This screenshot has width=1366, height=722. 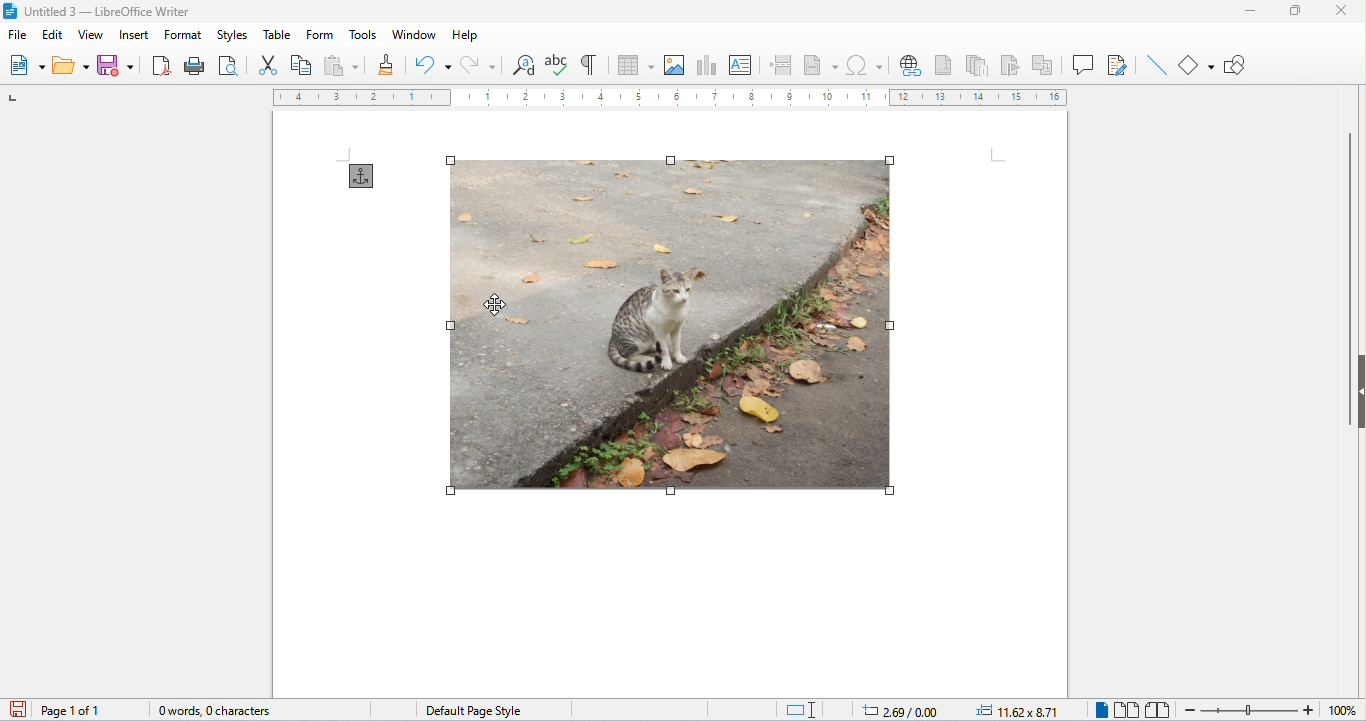 I want to click on image of cat, so click(x=669, y=326).